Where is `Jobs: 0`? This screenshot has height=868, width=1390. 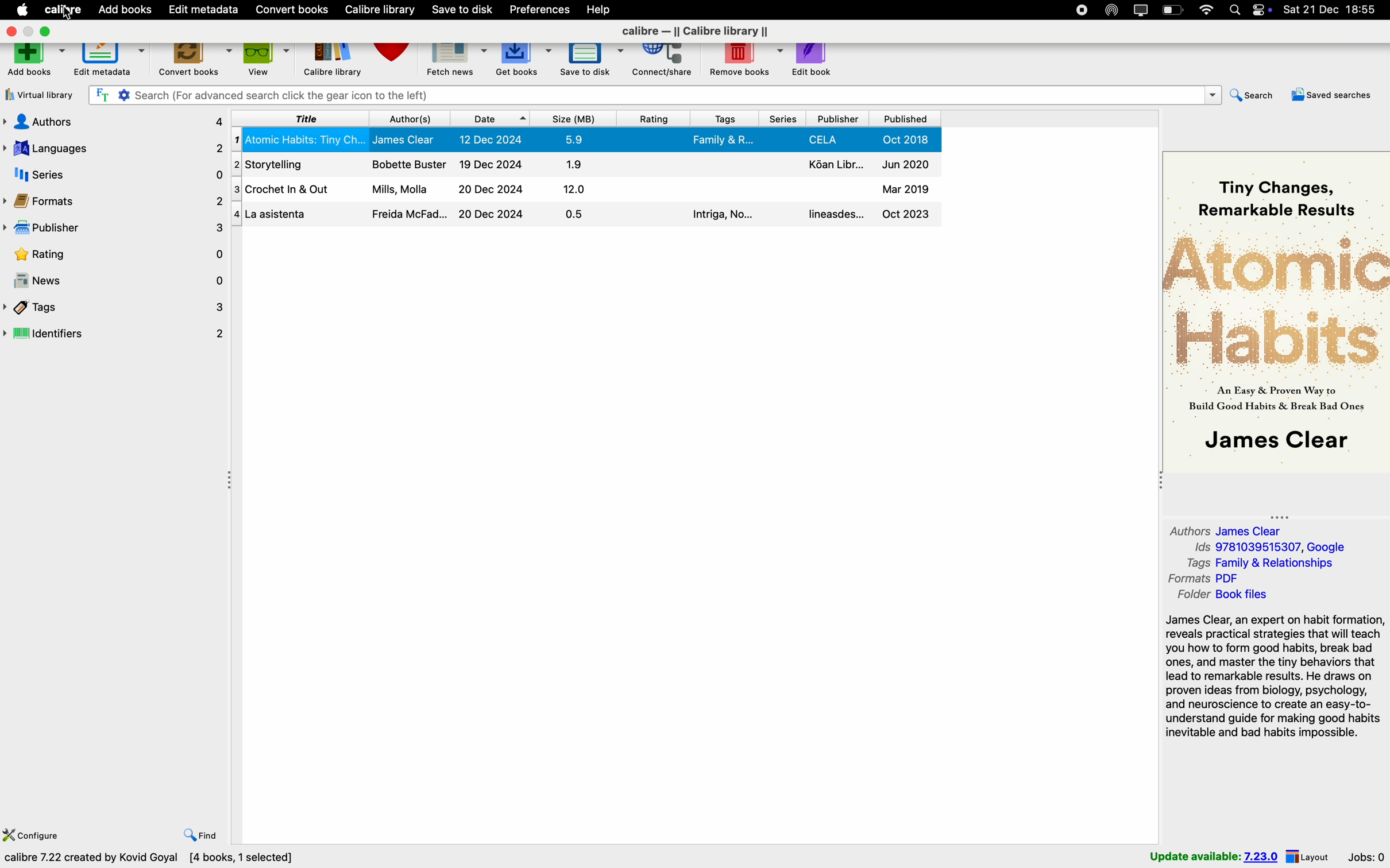 Jobs: 0 is located at coordinates (1366, 855).